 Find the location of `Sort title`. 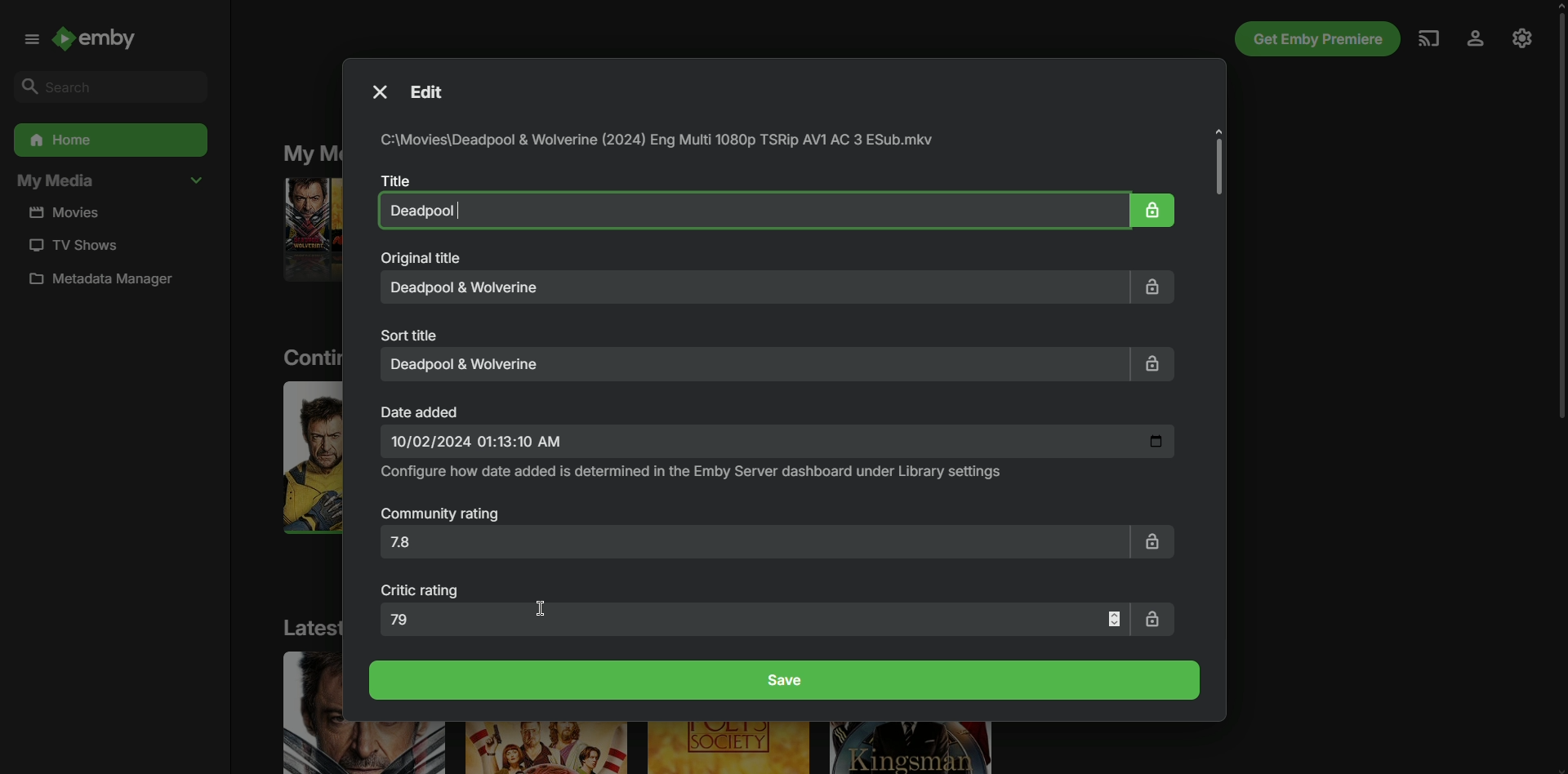

Sort title is located at coordinates (412, 334).